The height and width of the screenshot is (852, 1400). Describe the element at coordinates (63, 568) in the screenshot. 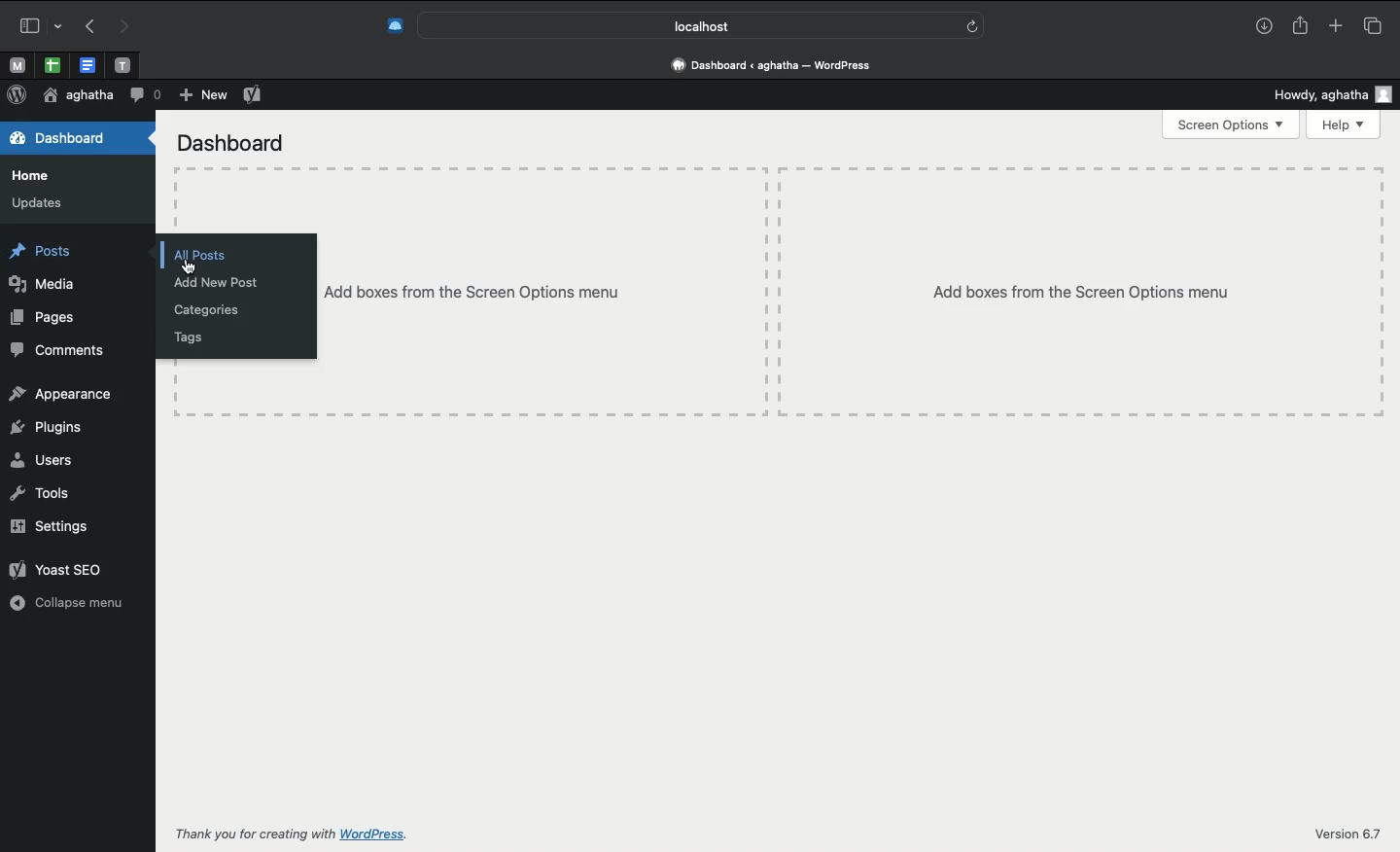

I see `Yoast` at that location.